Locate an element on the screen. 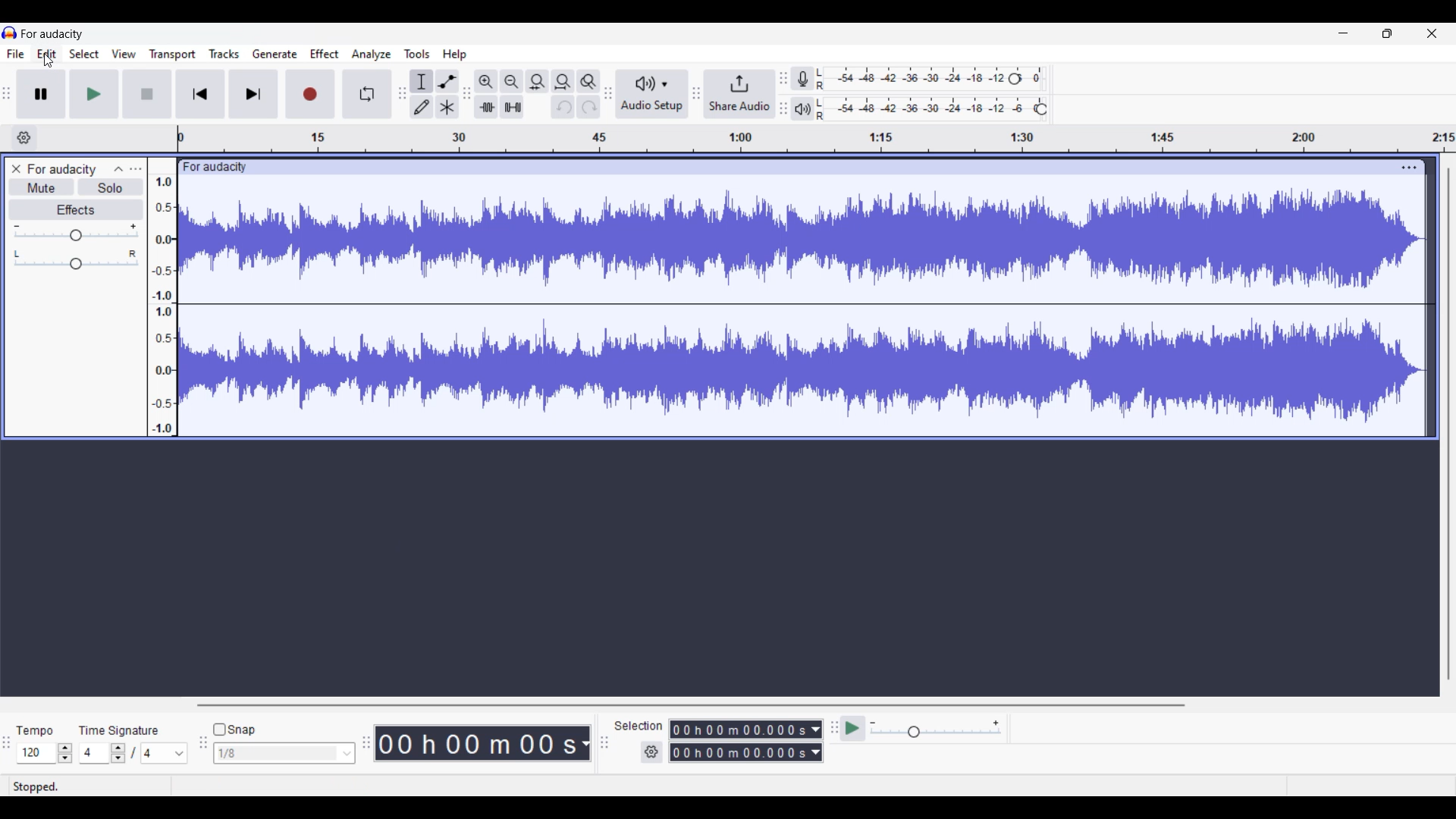  cursor is located at coordinates (49, 61).